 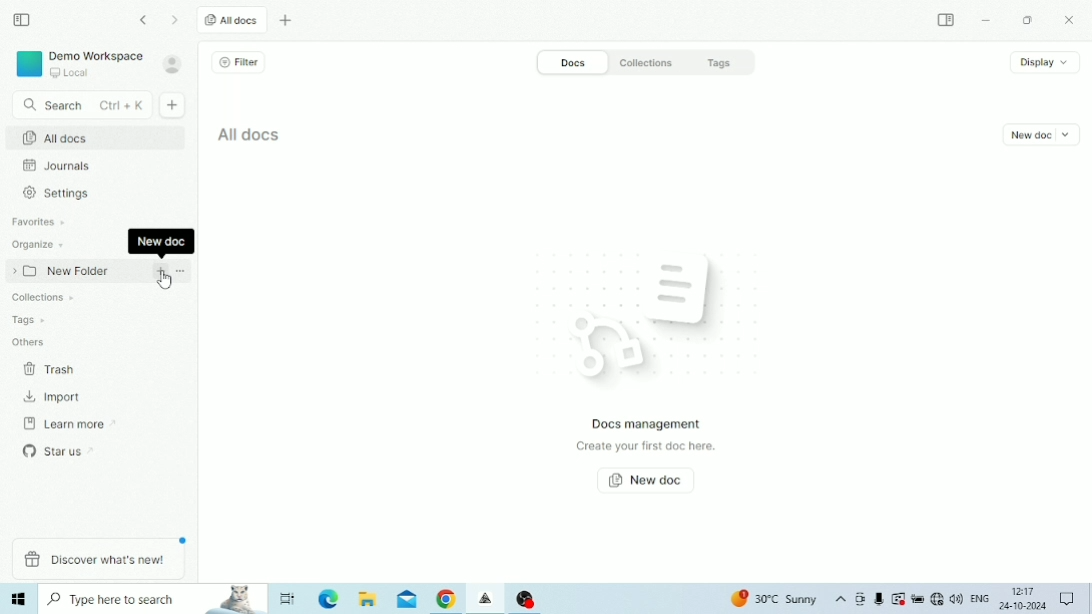 I want to click on New tab, so click(x=287, y=21).